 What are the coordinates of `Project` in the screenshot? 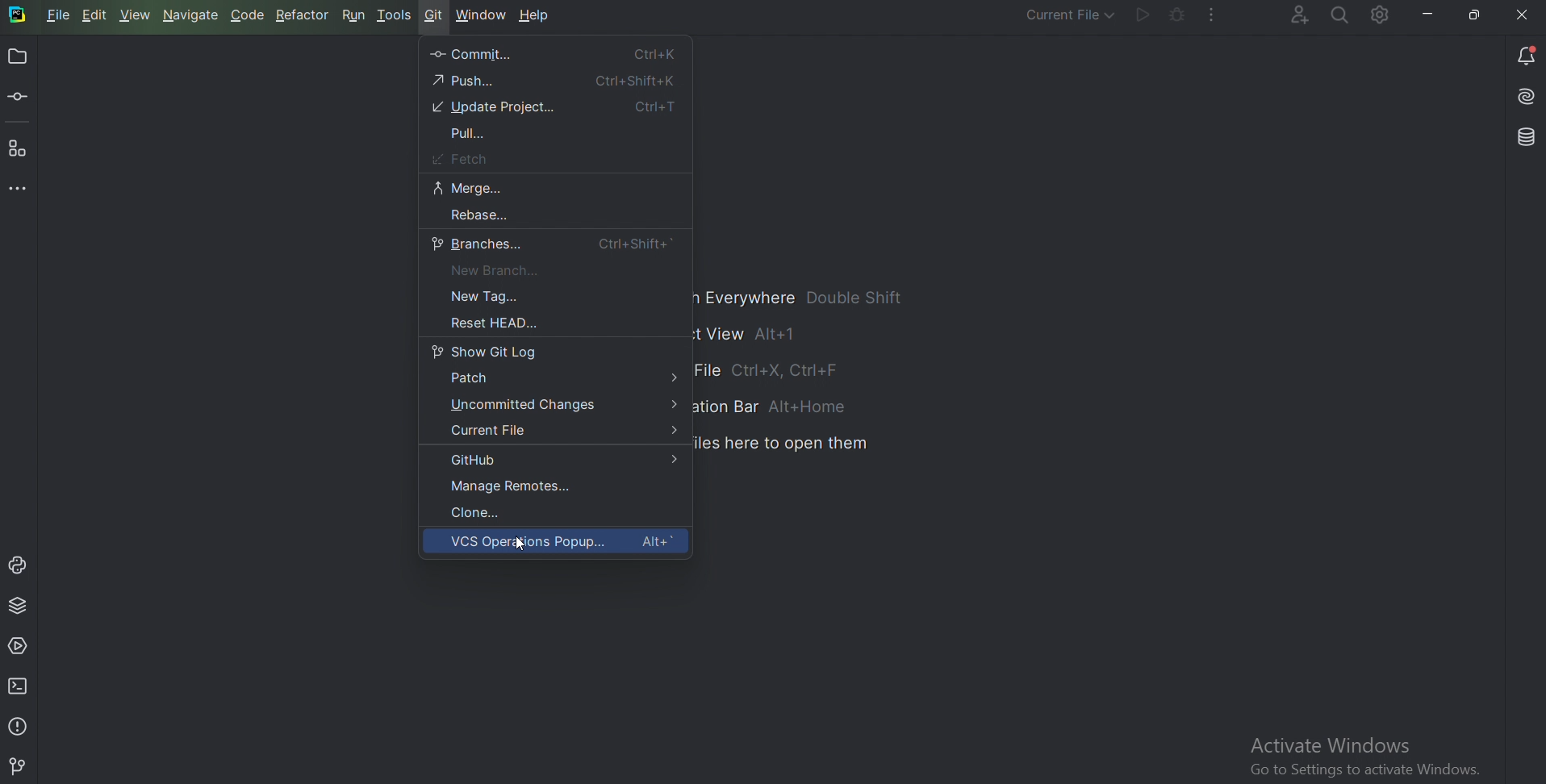 It's located at (17, 58).